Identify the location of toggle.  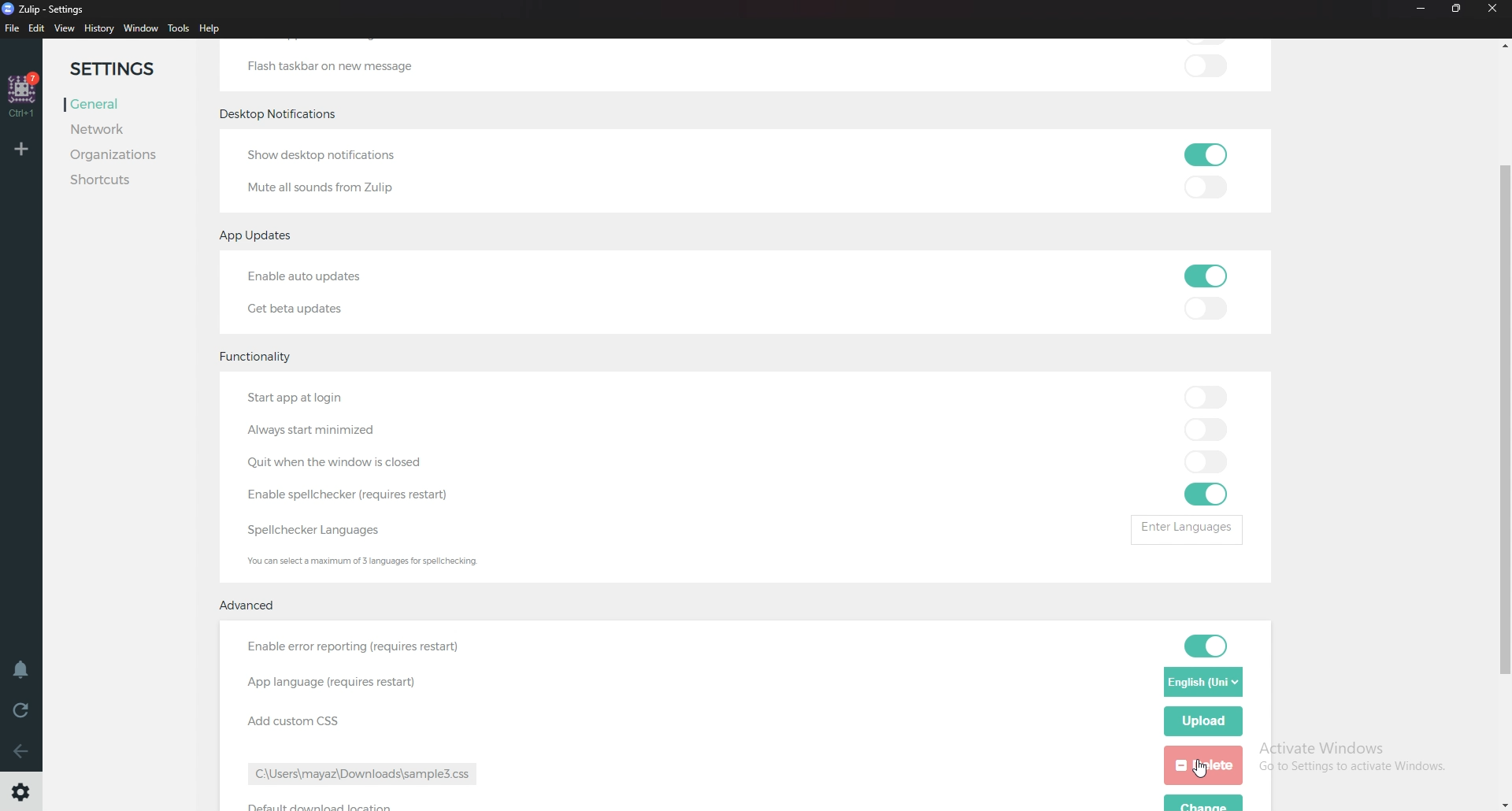
(1203, 276).